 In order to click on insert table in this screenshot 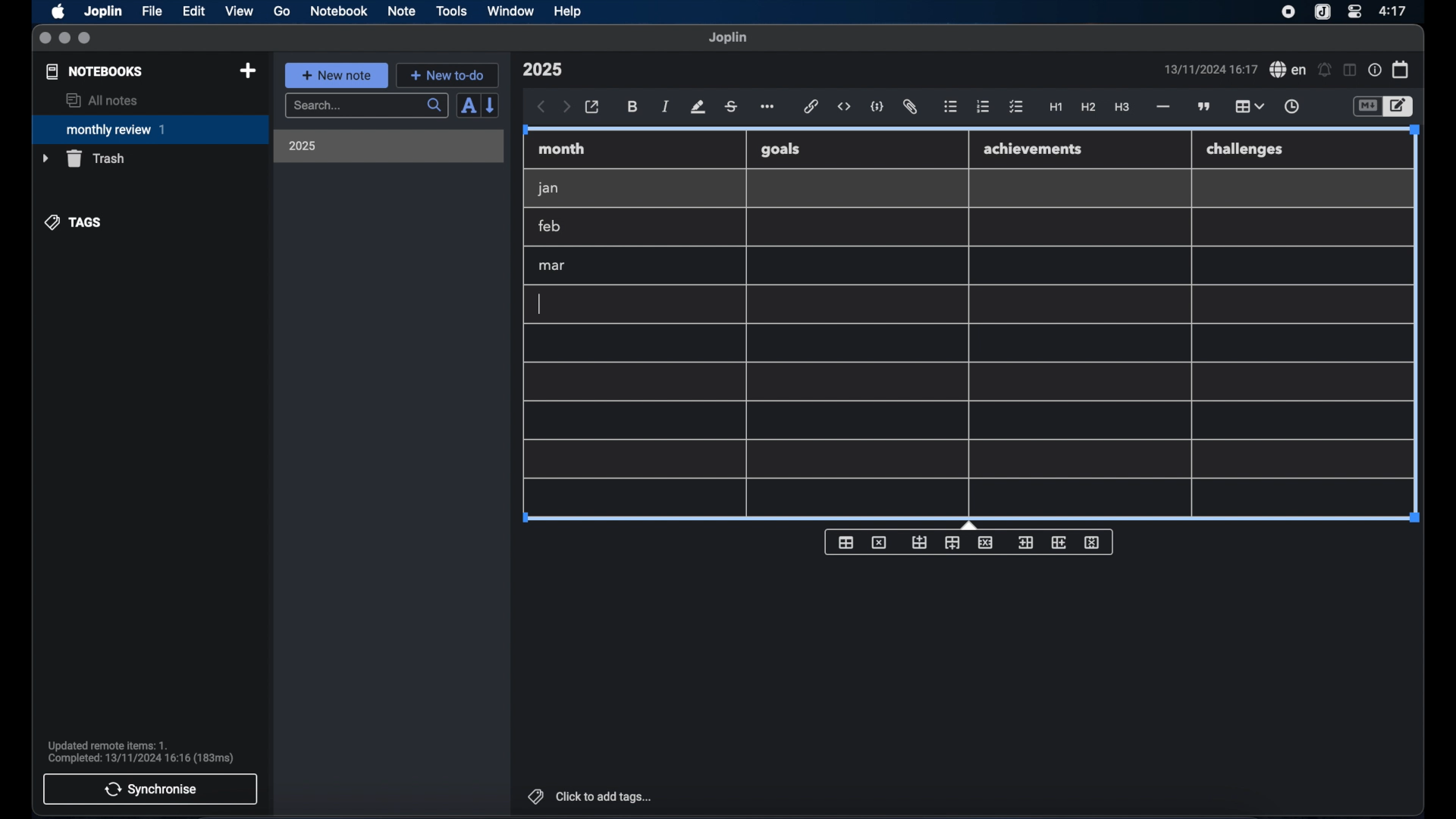, I will do `click(846, 542)`.